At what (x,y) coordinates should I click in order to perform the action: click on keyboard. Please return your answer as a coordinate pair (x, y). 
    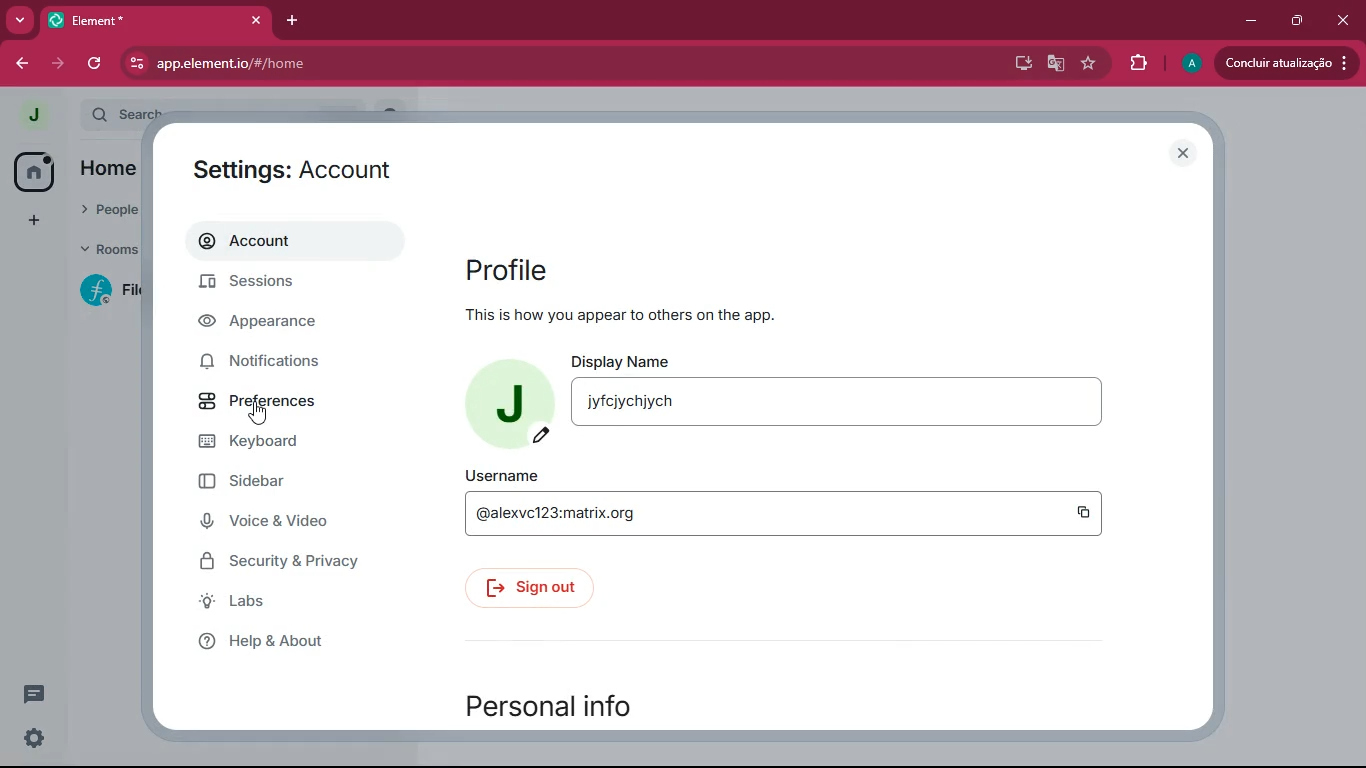
    Looking at the image, I should click on (273, 444).